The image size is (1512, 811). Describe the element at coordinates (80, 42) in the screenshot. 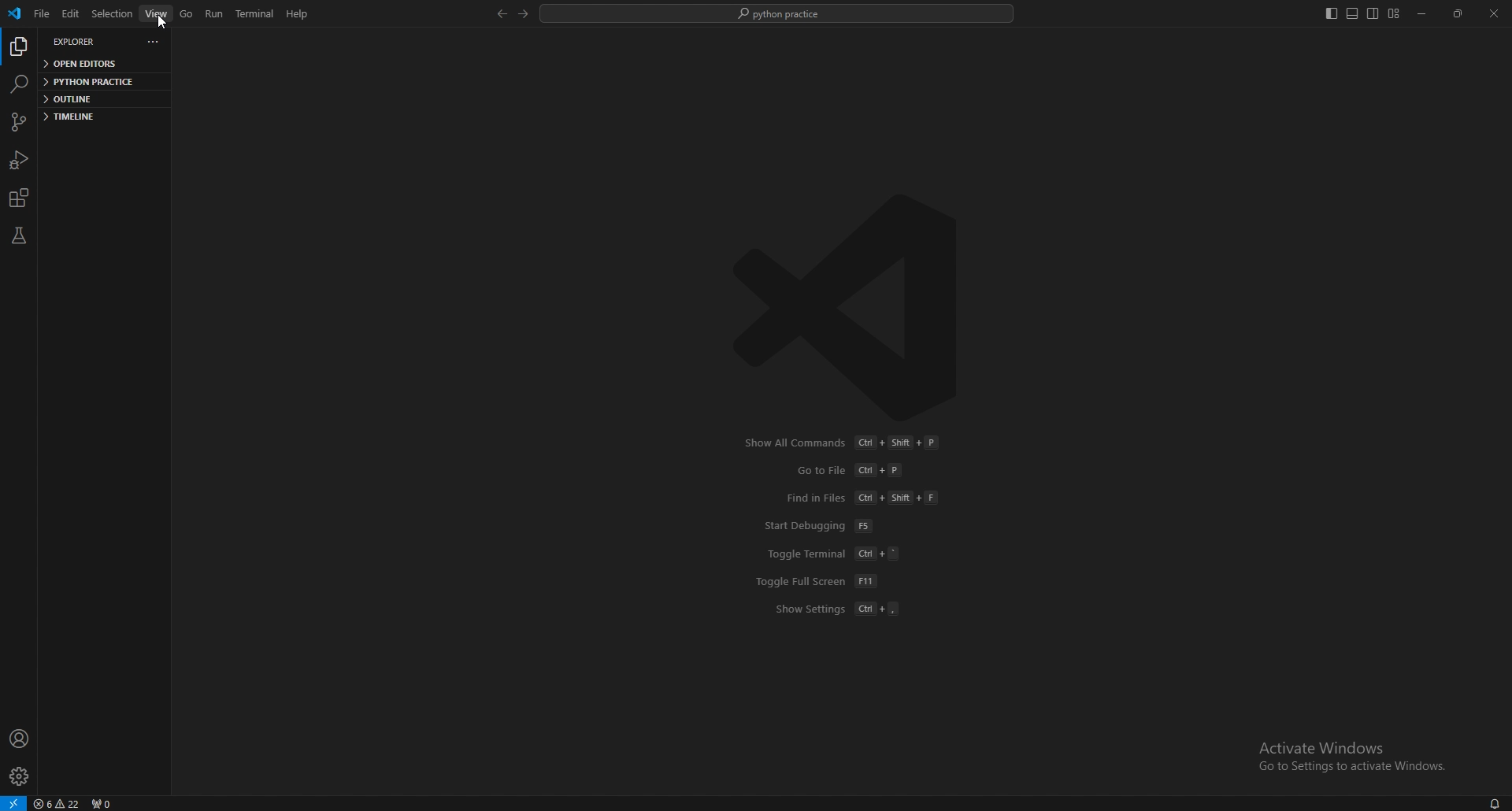

I see `explorer` at that location.